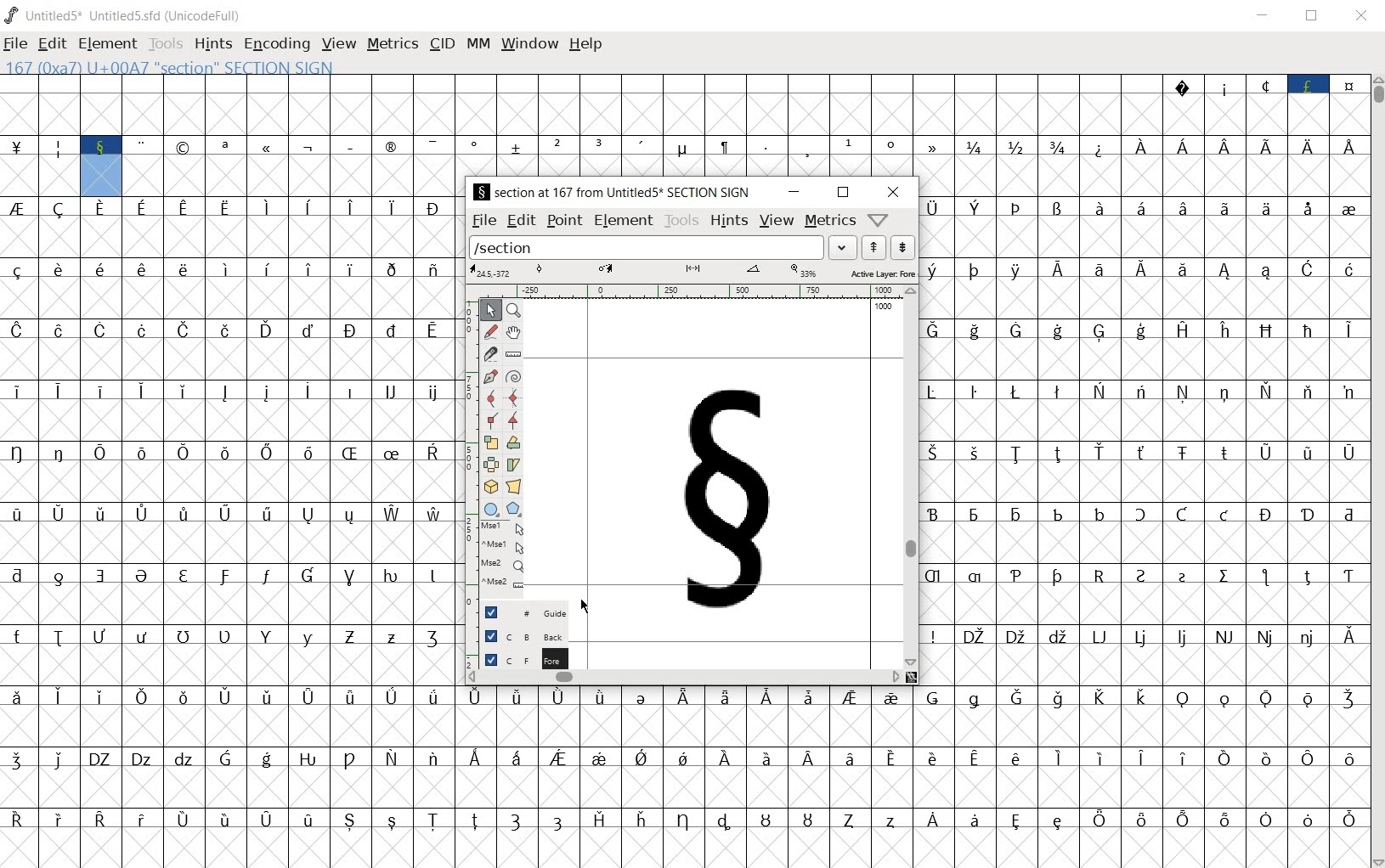  I want to click on special letters, so click(235, 330).